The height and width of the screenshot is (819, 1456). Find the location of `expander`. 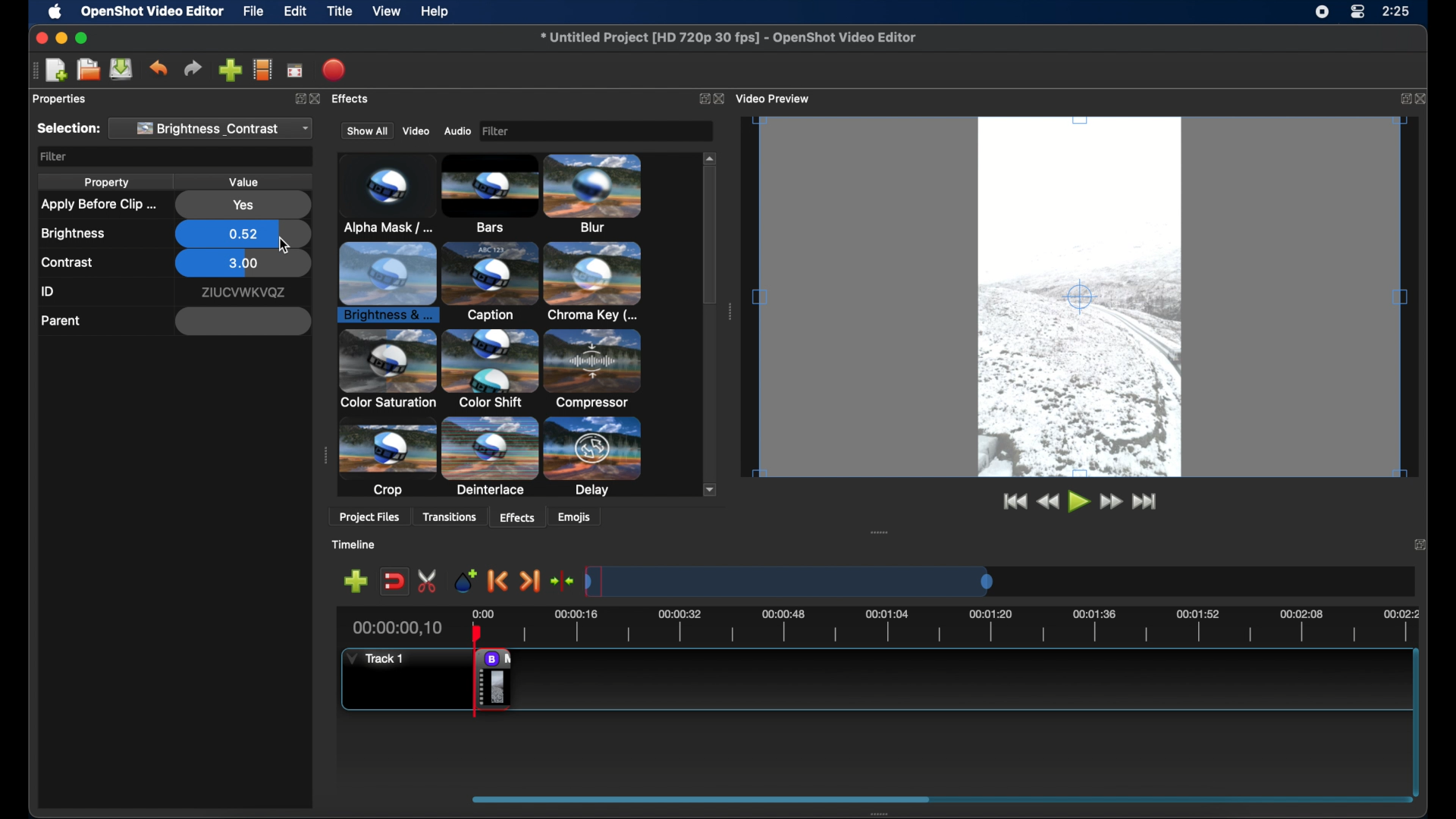

expander is located at coordinates (491, 460).